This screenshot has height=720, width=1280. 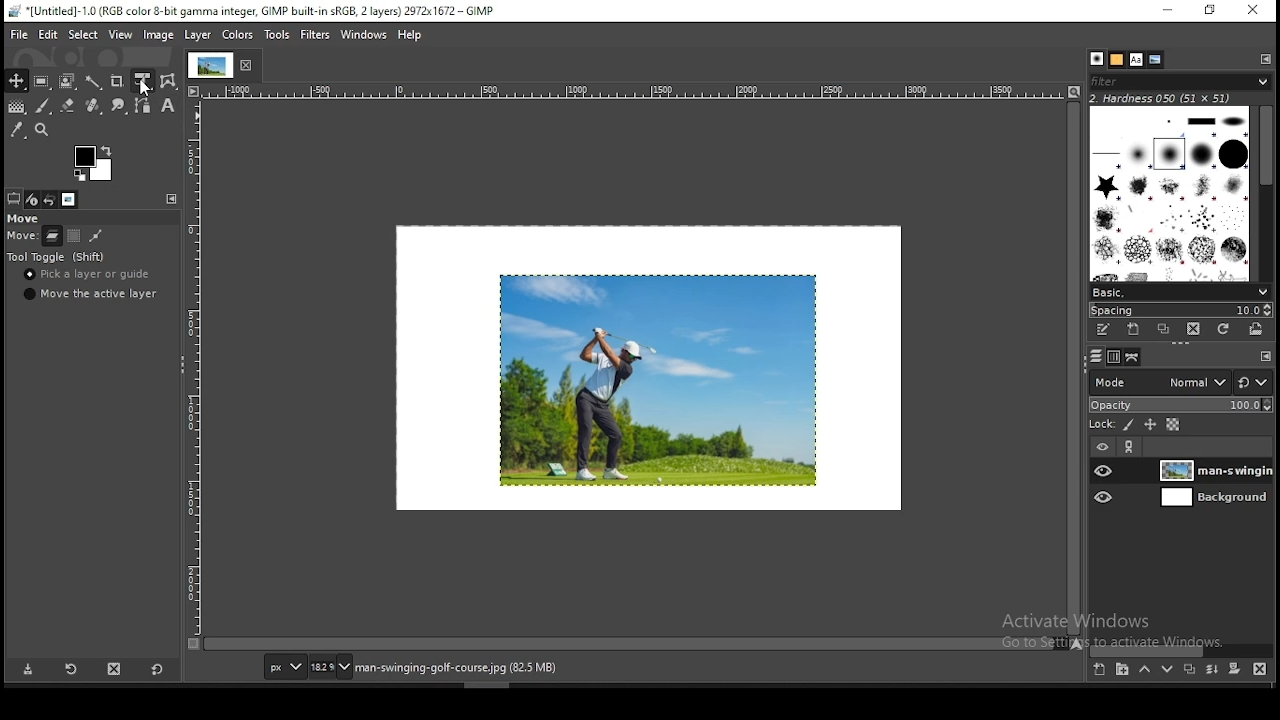 What do you see at coordinates (209, 65) in the screenshot?
I see `tab` at bounding box center [209, 65].